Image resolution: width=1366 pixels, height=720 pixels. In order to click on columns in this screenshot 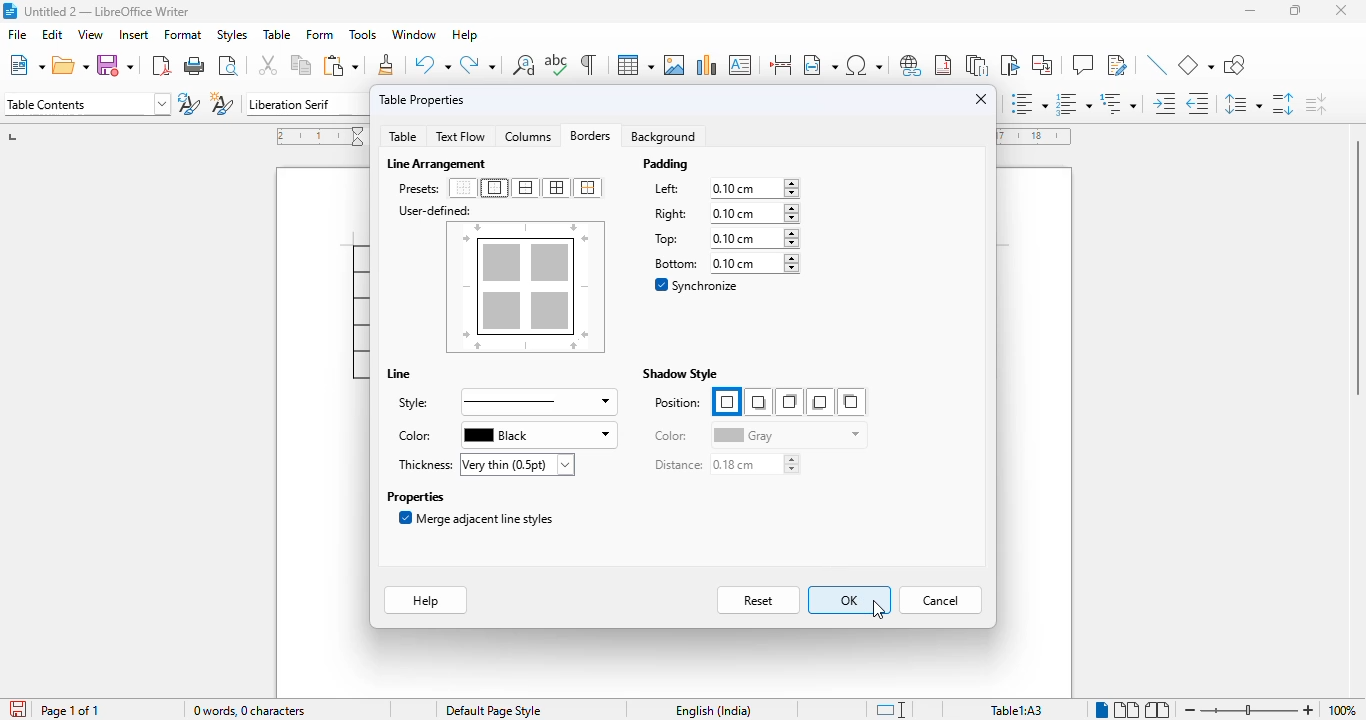, I will do `click(527, 135)`.